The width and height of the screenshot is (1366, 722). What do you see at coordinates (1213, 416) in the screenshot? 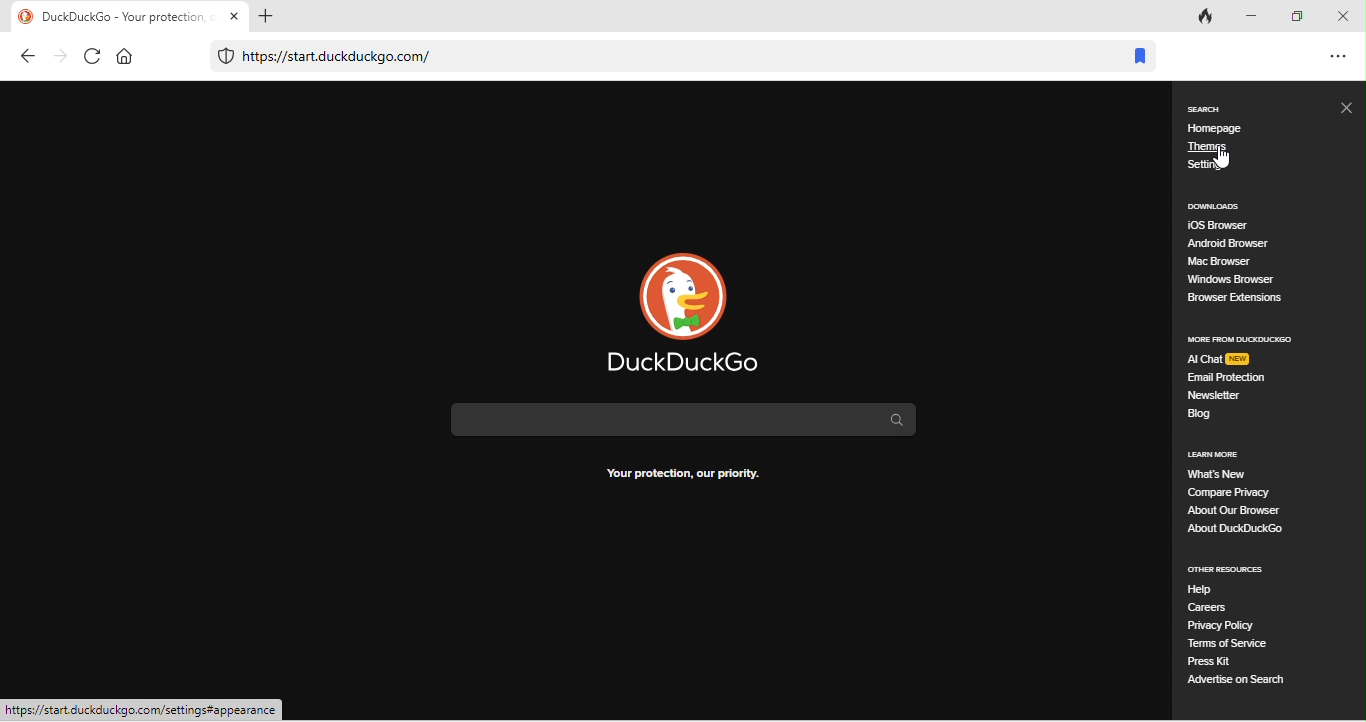
I see `blog` at bounding box center [1213, 416].